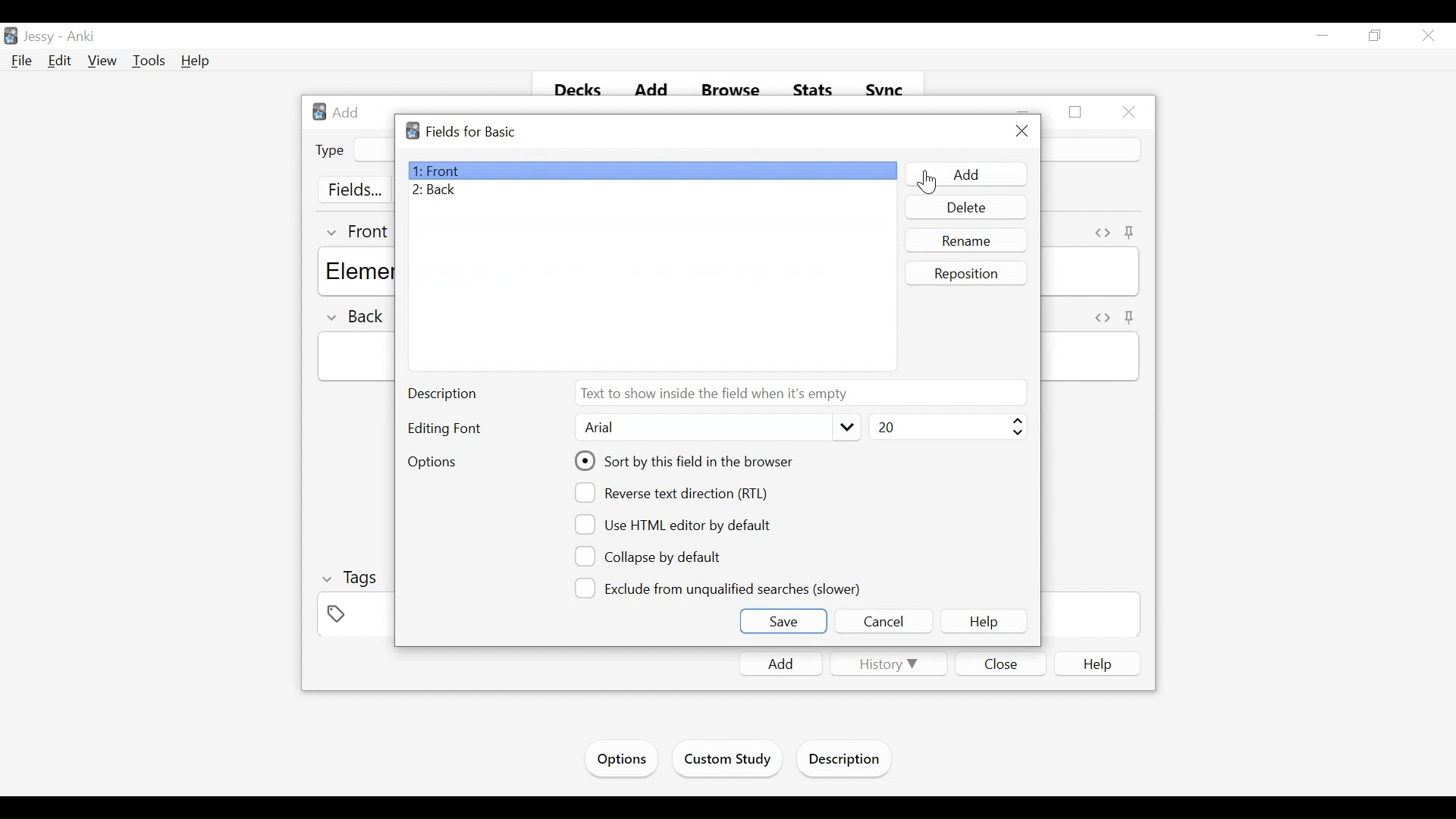 This screenshot has height=819, width=1456. I want to click on (un)select Sort tis field in the browser, so click(686, 461).